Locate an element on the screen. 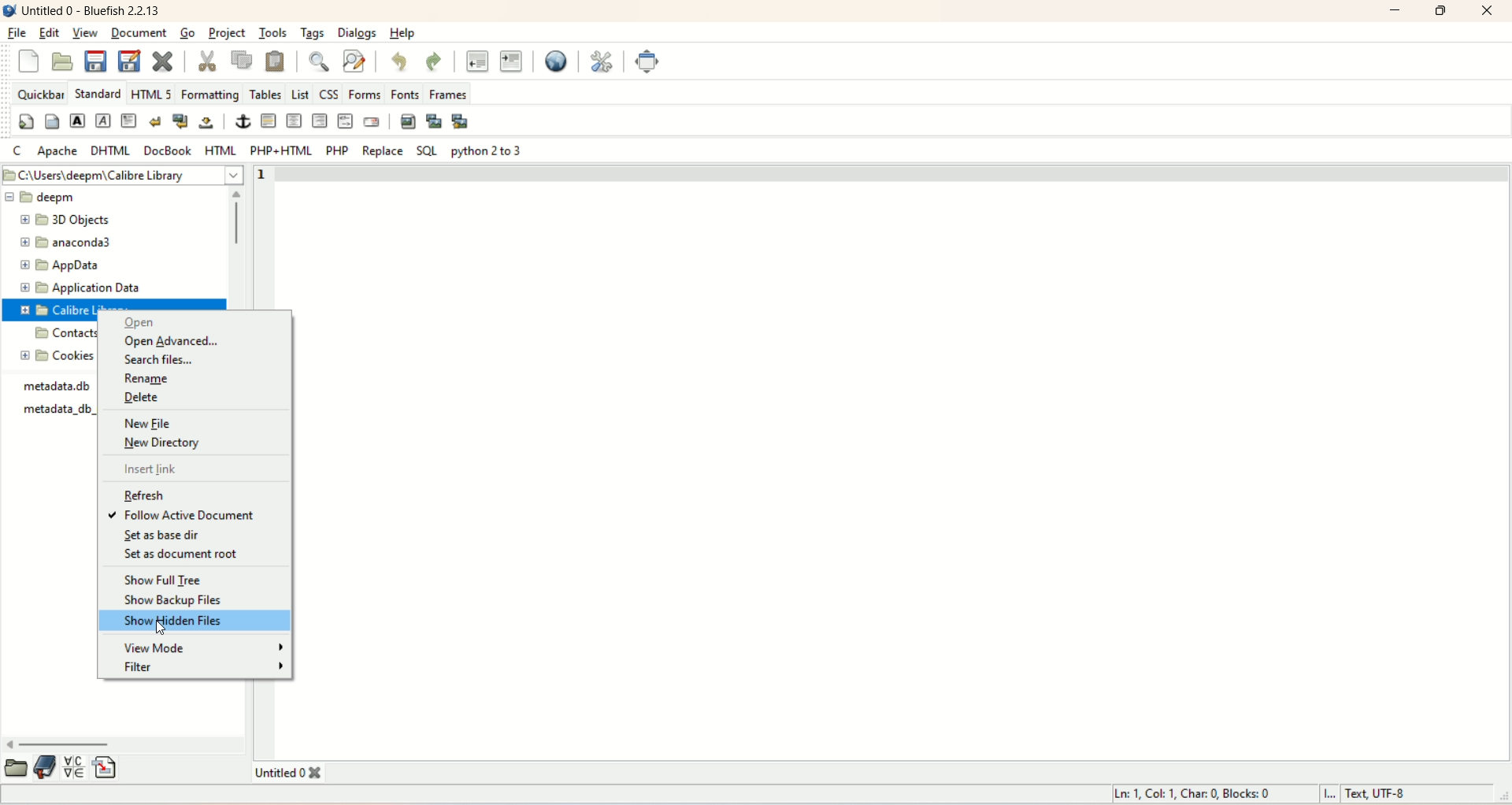 The height and width of the screenshot is (805, 1512). file is located at coordinates (19, 30).